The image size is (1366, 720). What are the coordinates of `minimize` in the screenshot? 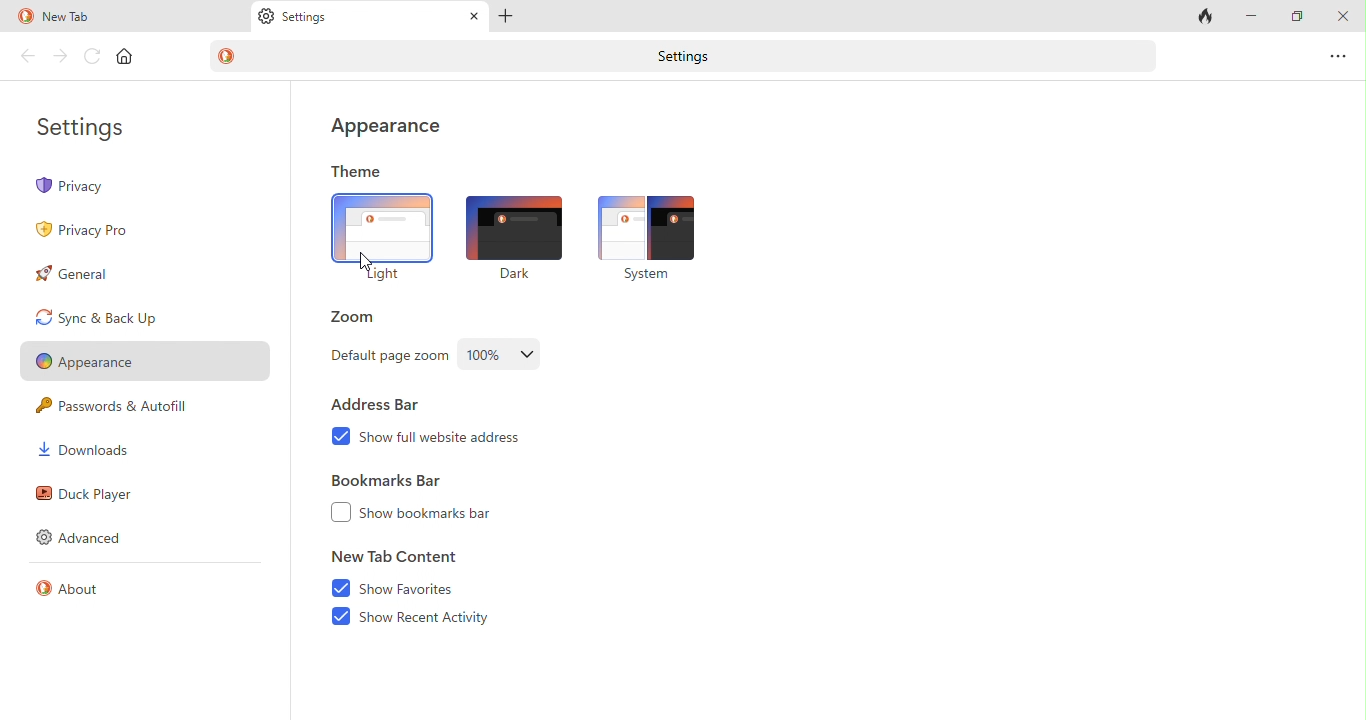 It's located at (1252, 14).